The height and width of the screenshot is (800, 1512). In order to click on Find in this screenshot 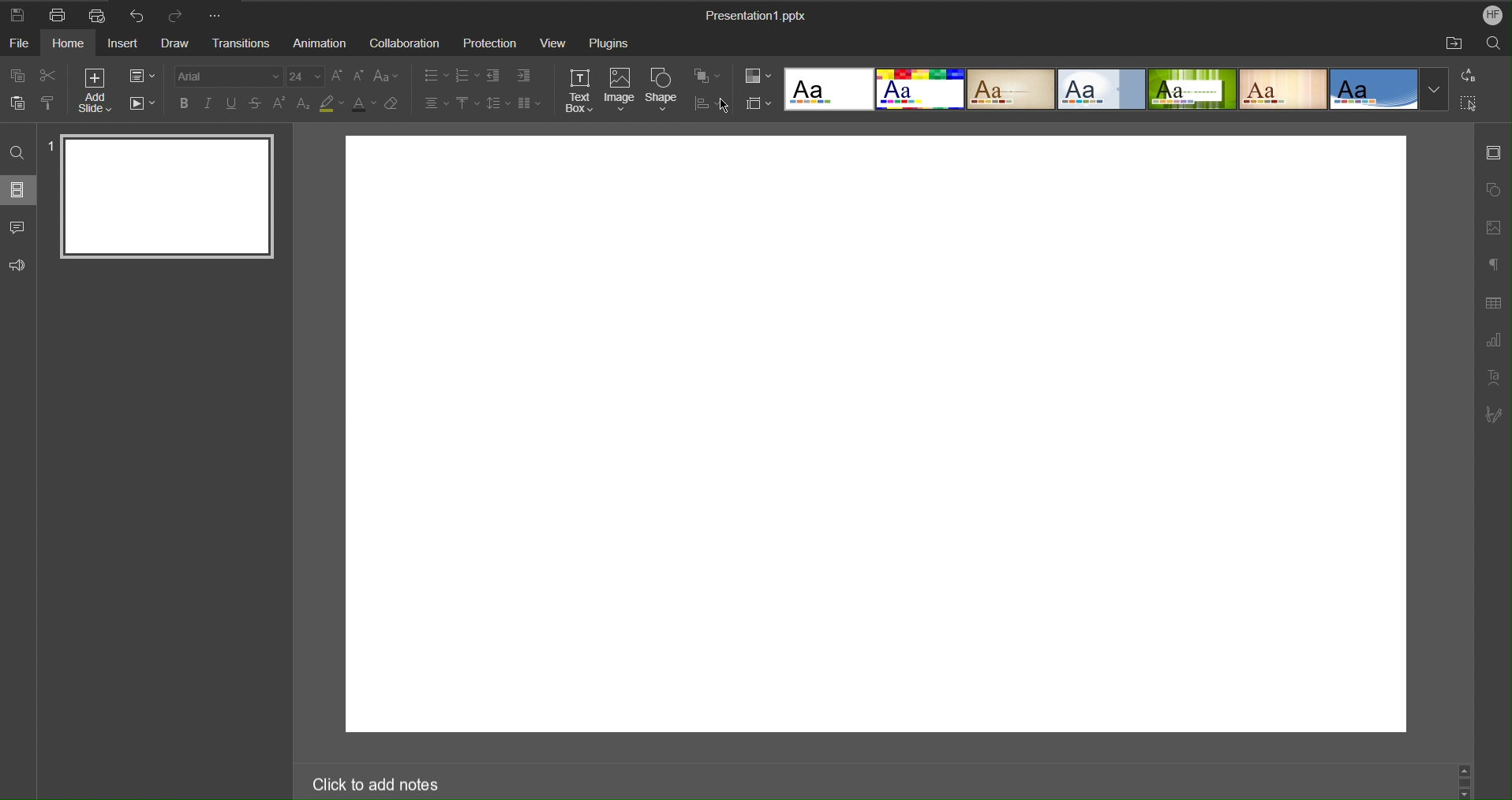, I will do `click(20, 151)`.